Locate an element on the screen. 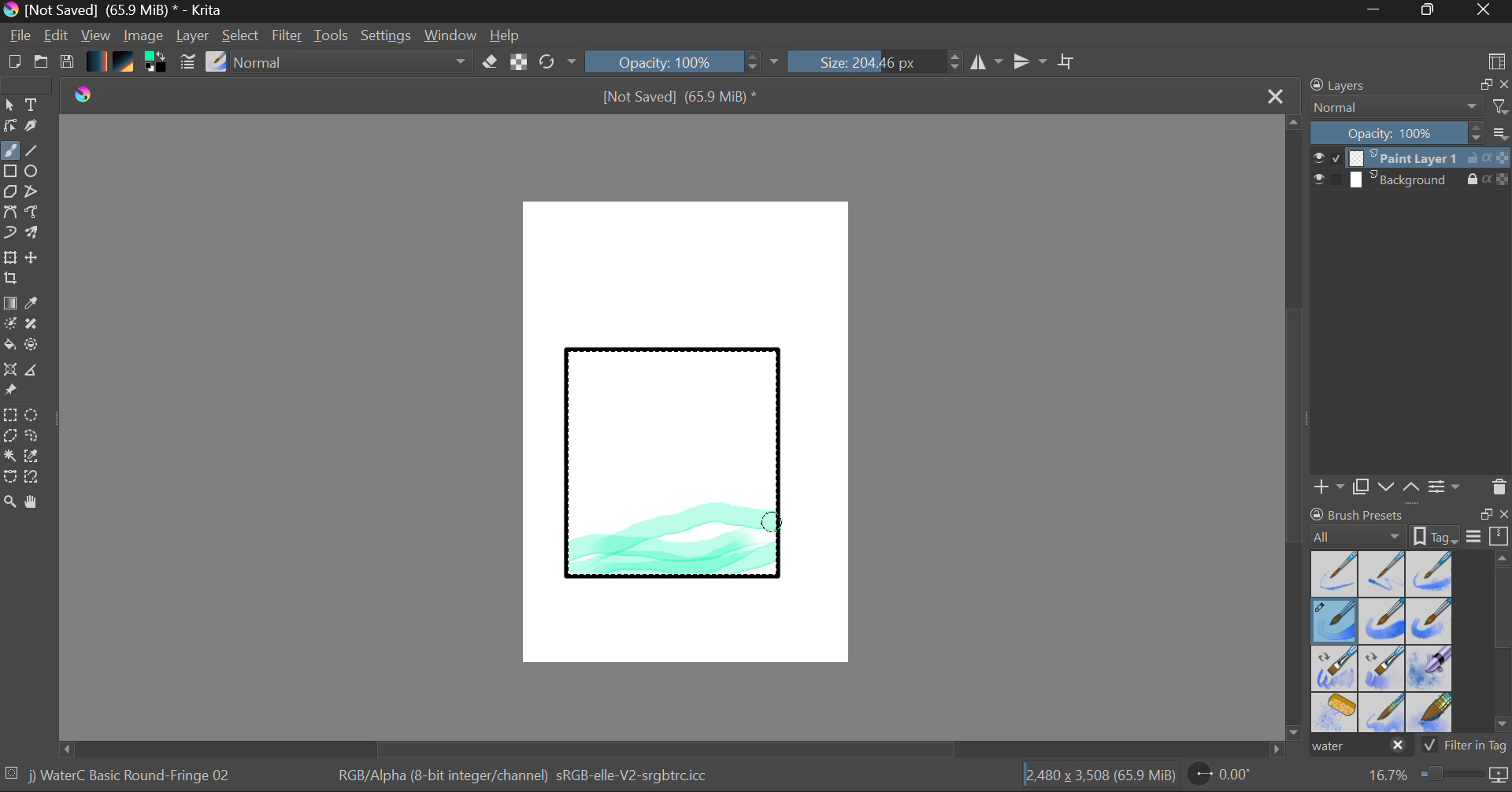 This screenshot has width=1512, height=792. Choose Workspace is located at coordinates (1496, 60).